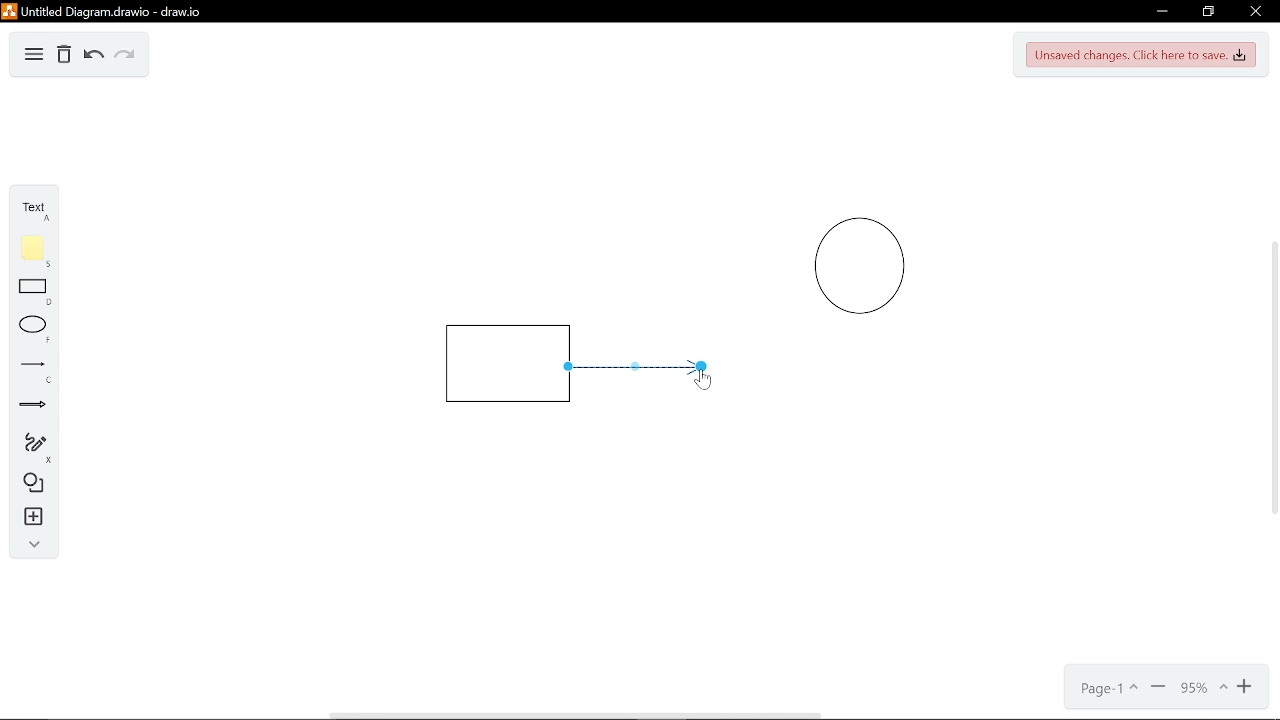 Image resolution: width=1280 pixels, height=720 pixels. Describe the element at coordinates (29, 292) in the screenshot. I see `Rectangle` at that location.